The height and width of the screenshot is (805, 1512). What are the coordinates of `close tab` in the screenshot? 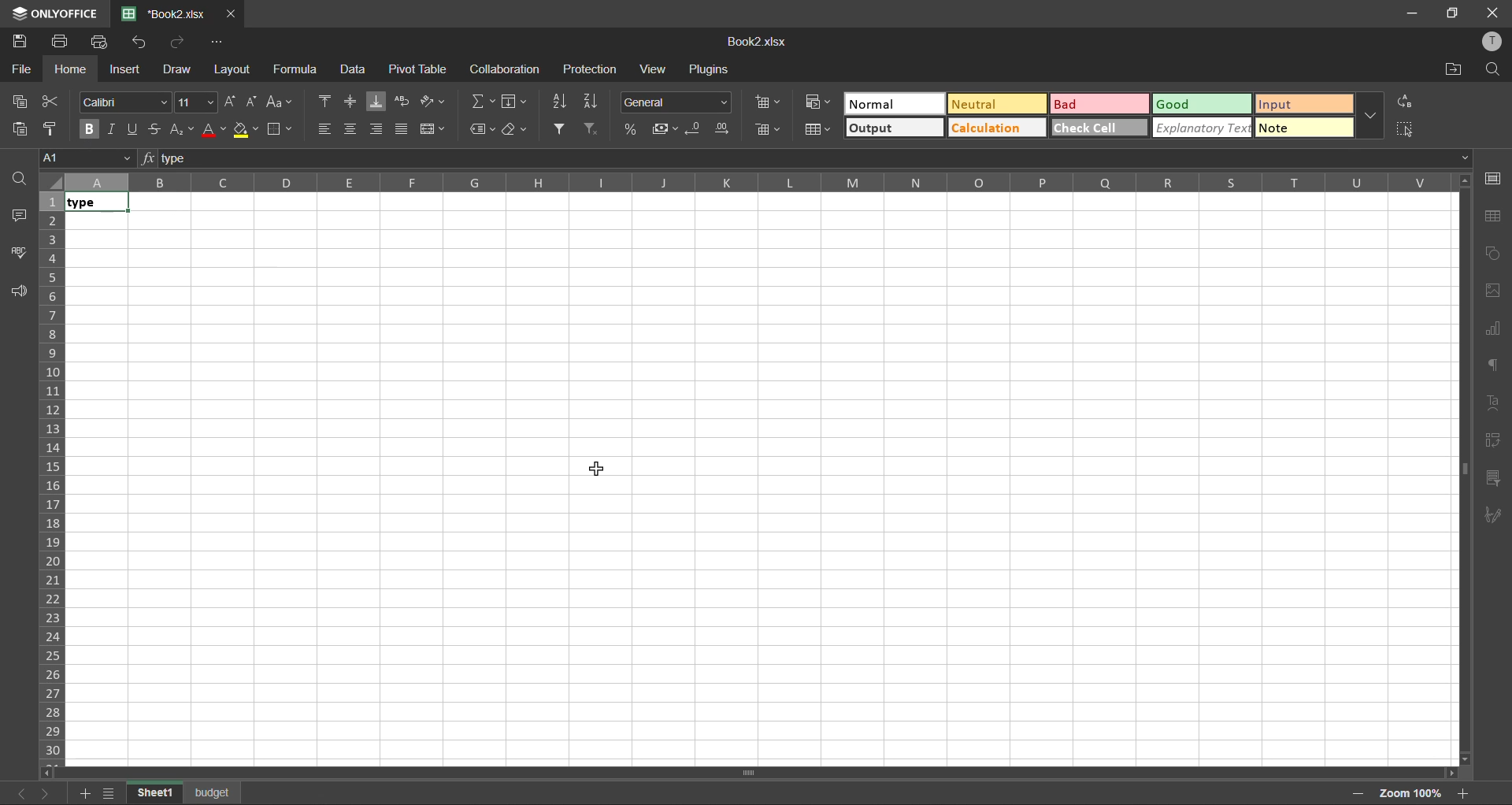 It's located at (232, 12).